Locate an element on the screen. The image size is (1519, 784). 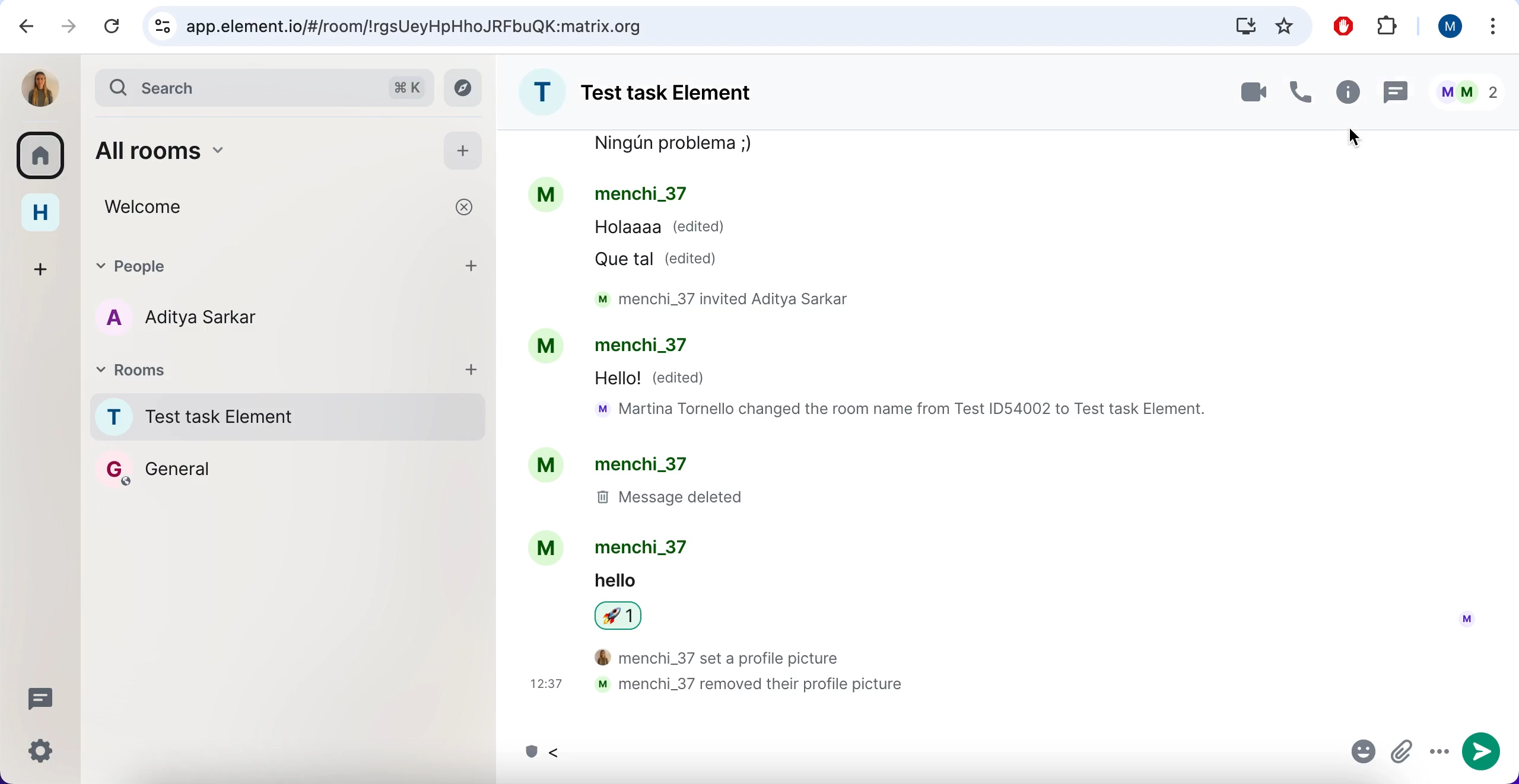
room chat is located at coordinates (658, 92).